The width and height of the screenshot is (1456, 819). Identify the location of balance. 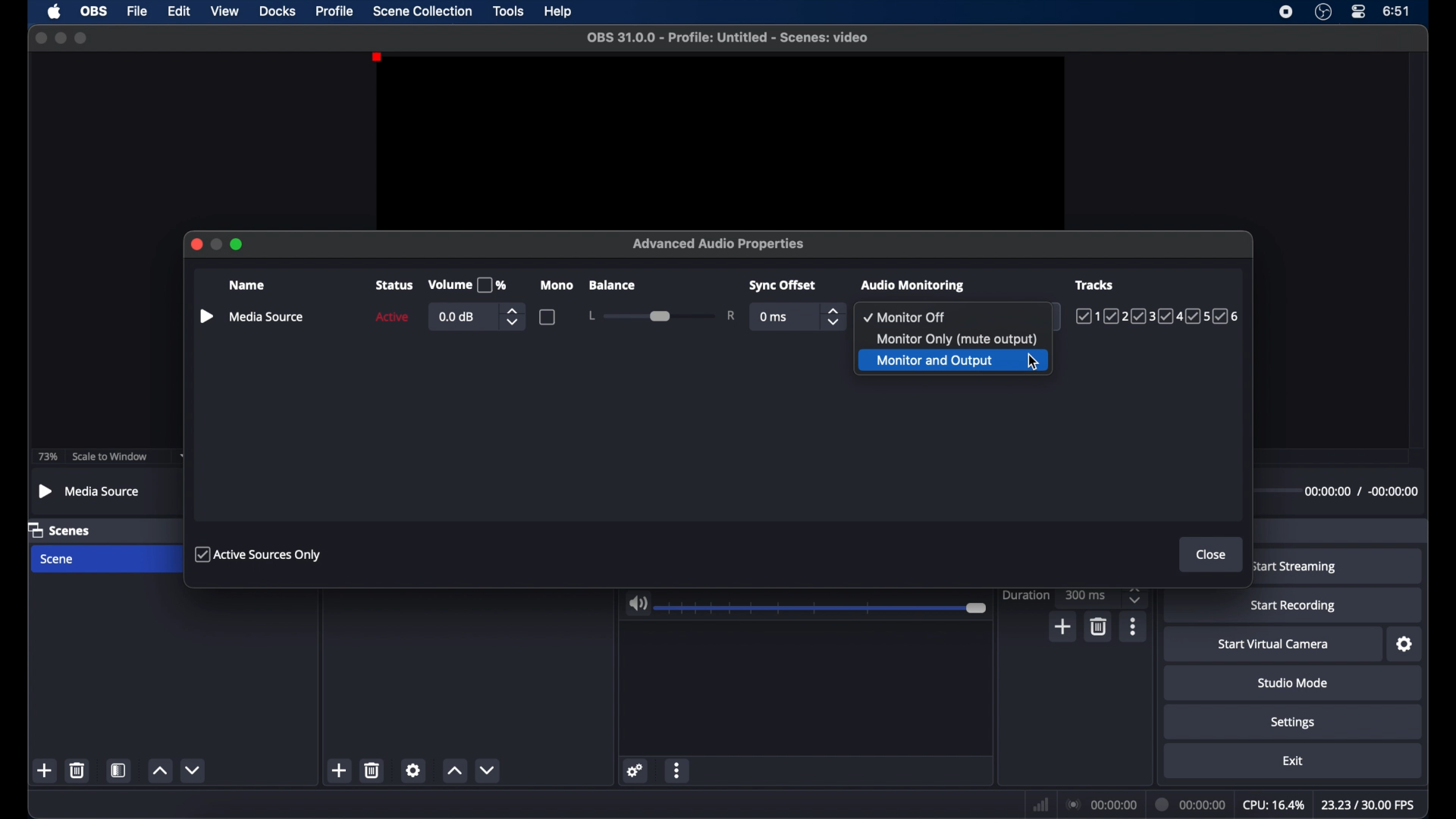
(613, 285).